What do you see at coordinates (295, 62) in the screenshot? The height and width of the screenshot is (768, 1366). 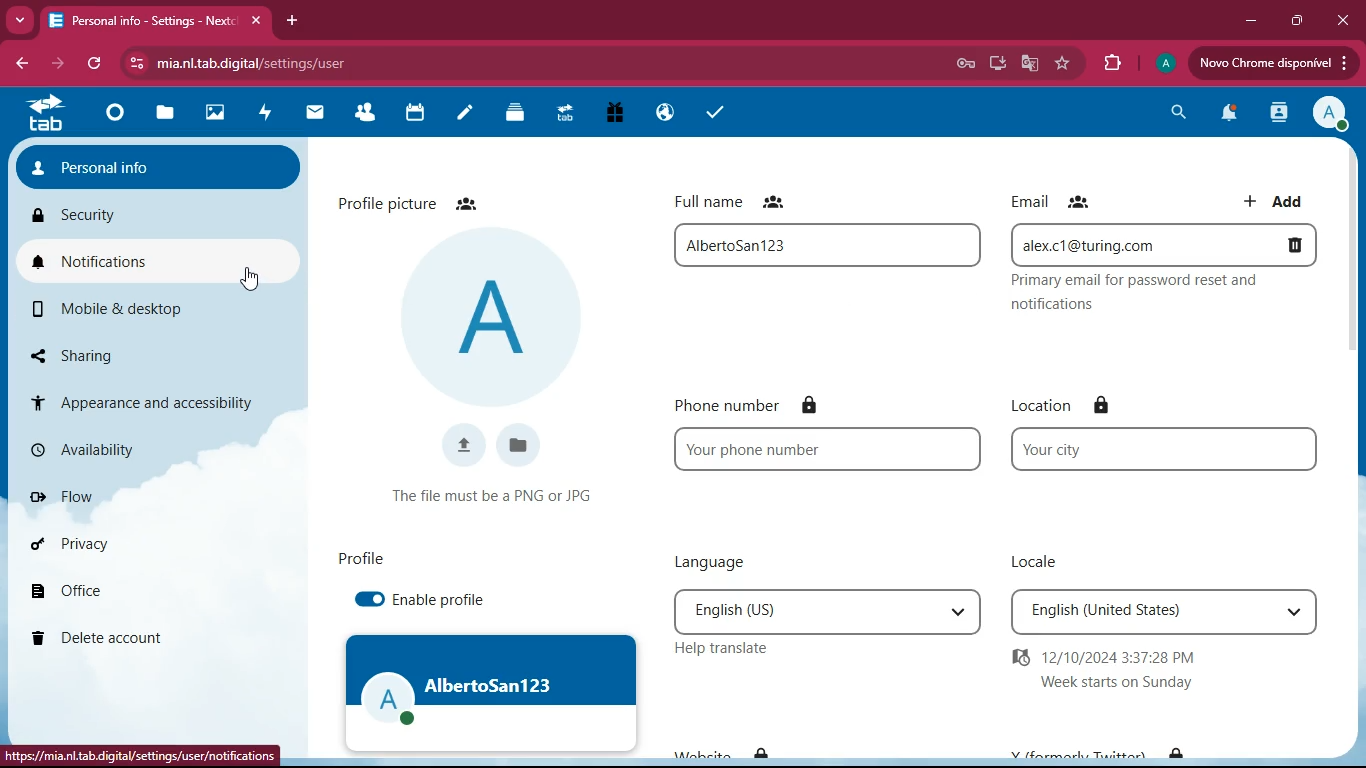 I see `url` at bounding box center [295, 62].